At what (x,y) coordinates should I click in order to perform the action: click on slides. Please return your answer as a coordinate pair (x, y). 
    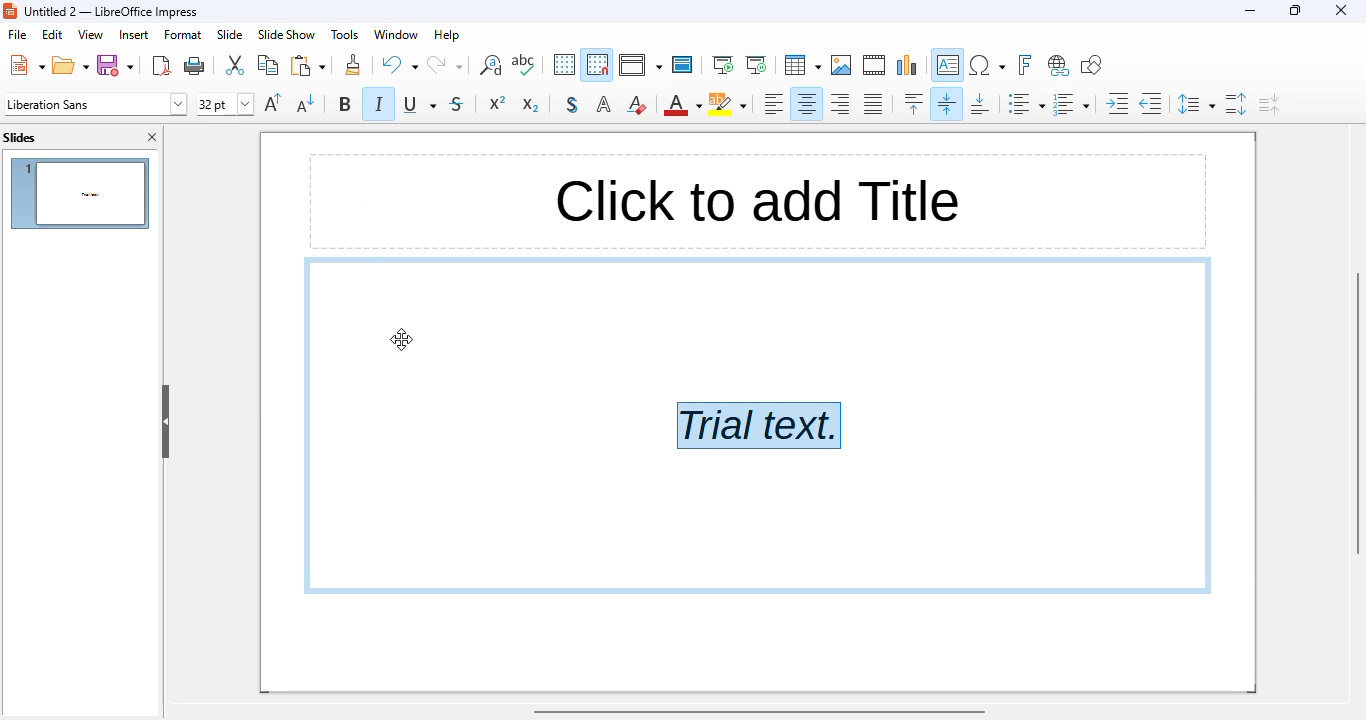
    Looking at the image, I should click on (20, 138).